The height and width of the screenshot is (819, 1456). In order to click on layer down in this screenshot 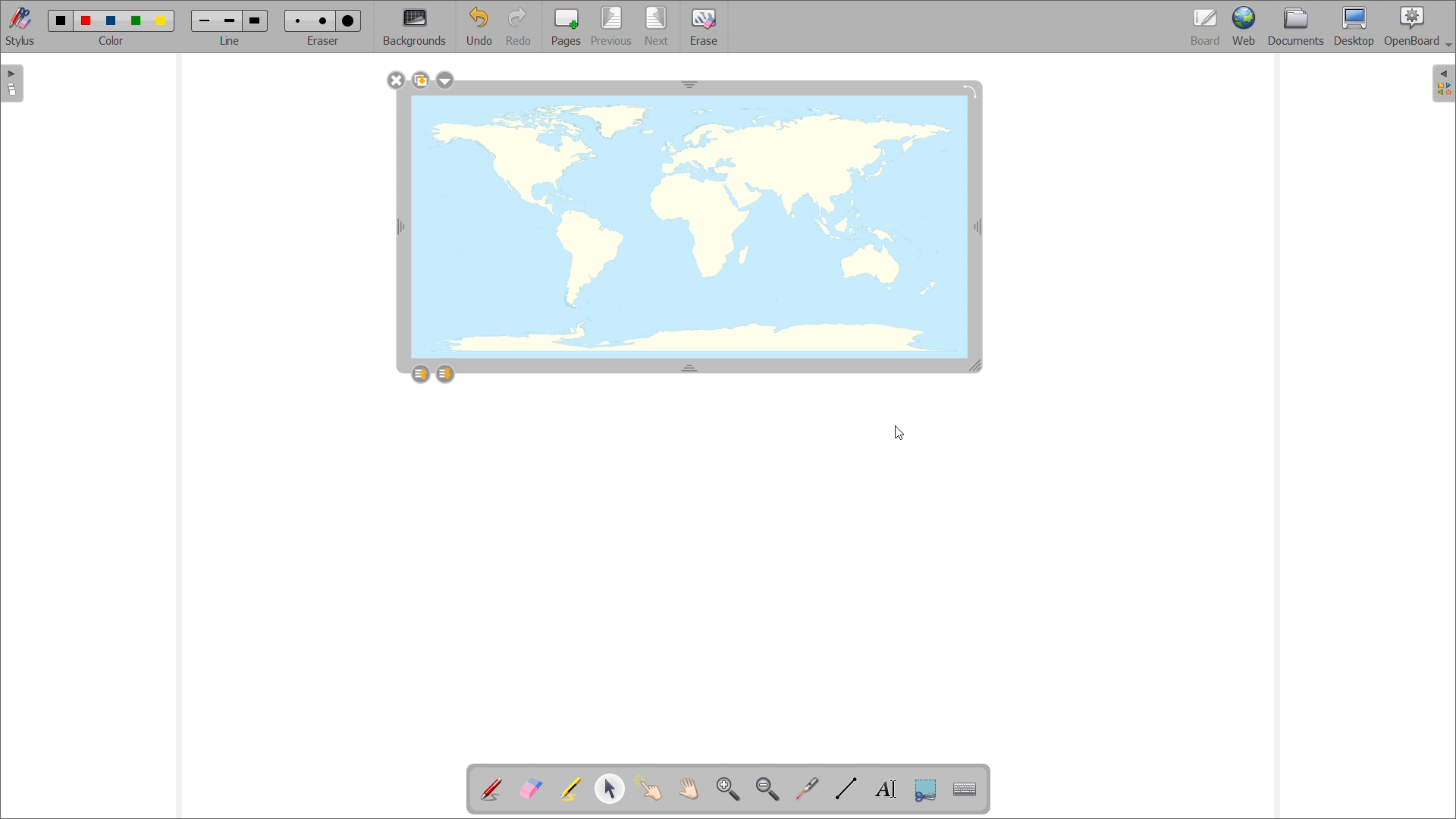, I will do `click(444, 373)`.